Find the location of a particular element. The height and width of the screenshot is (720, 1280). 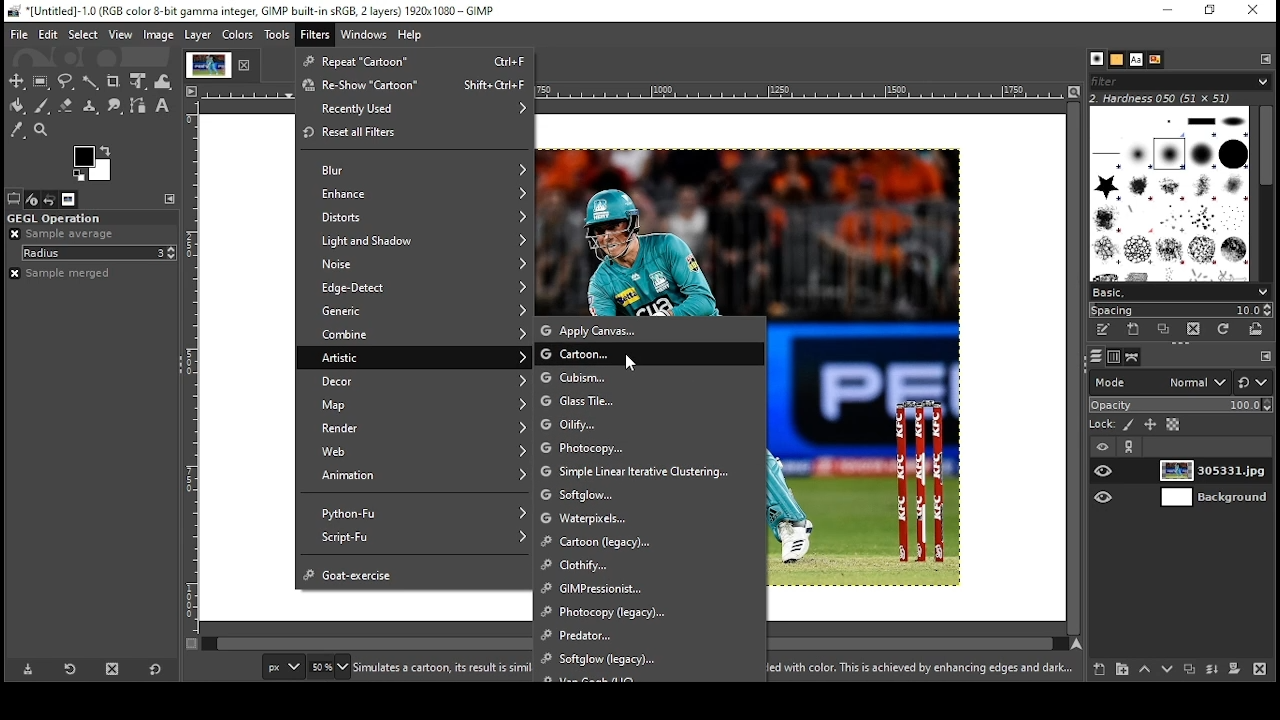

recently used is located at coordinates (416, 109).